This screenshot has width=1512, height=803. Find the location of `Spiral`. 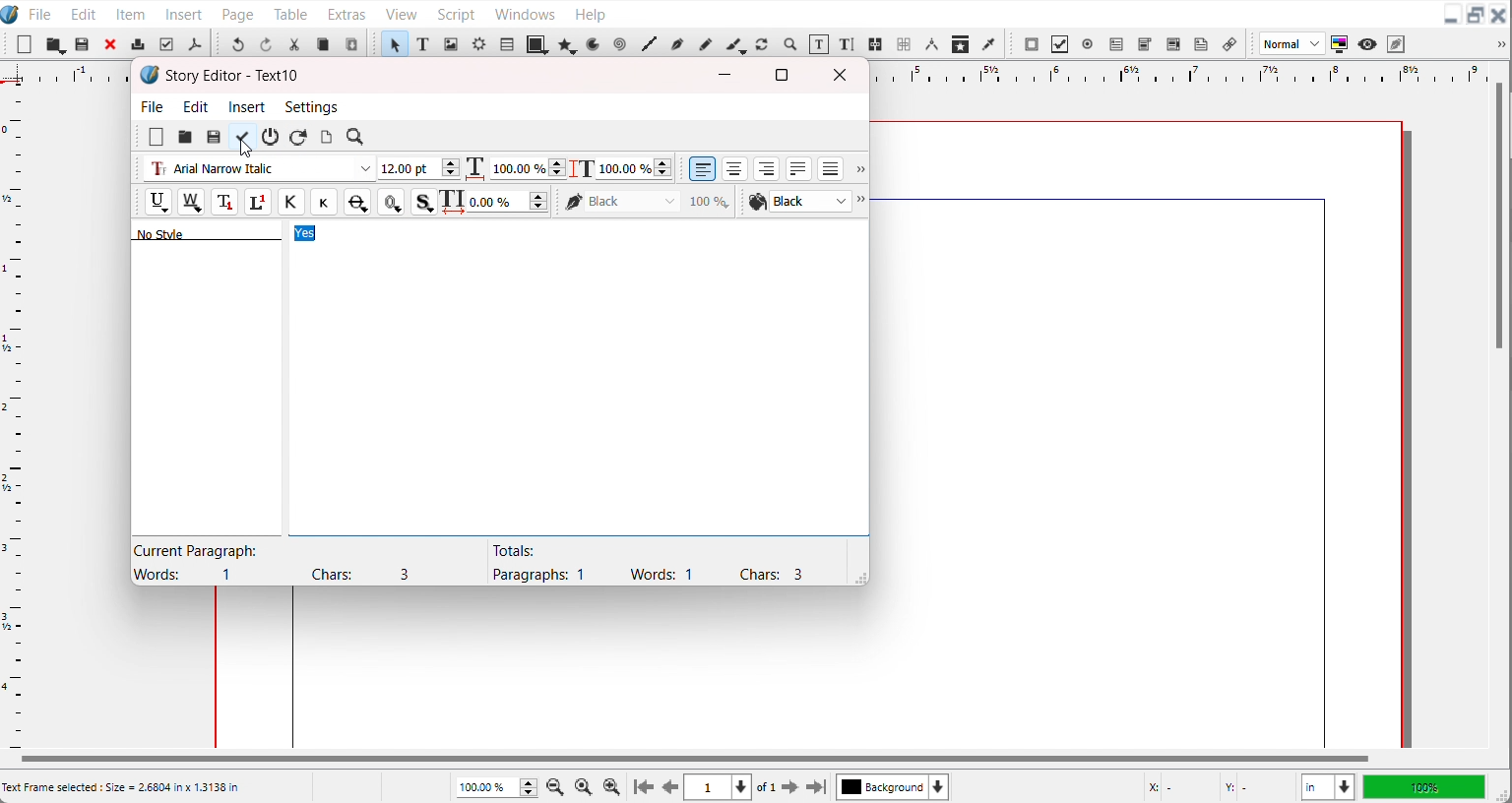

Spiral is located at coordinates (618, 44).